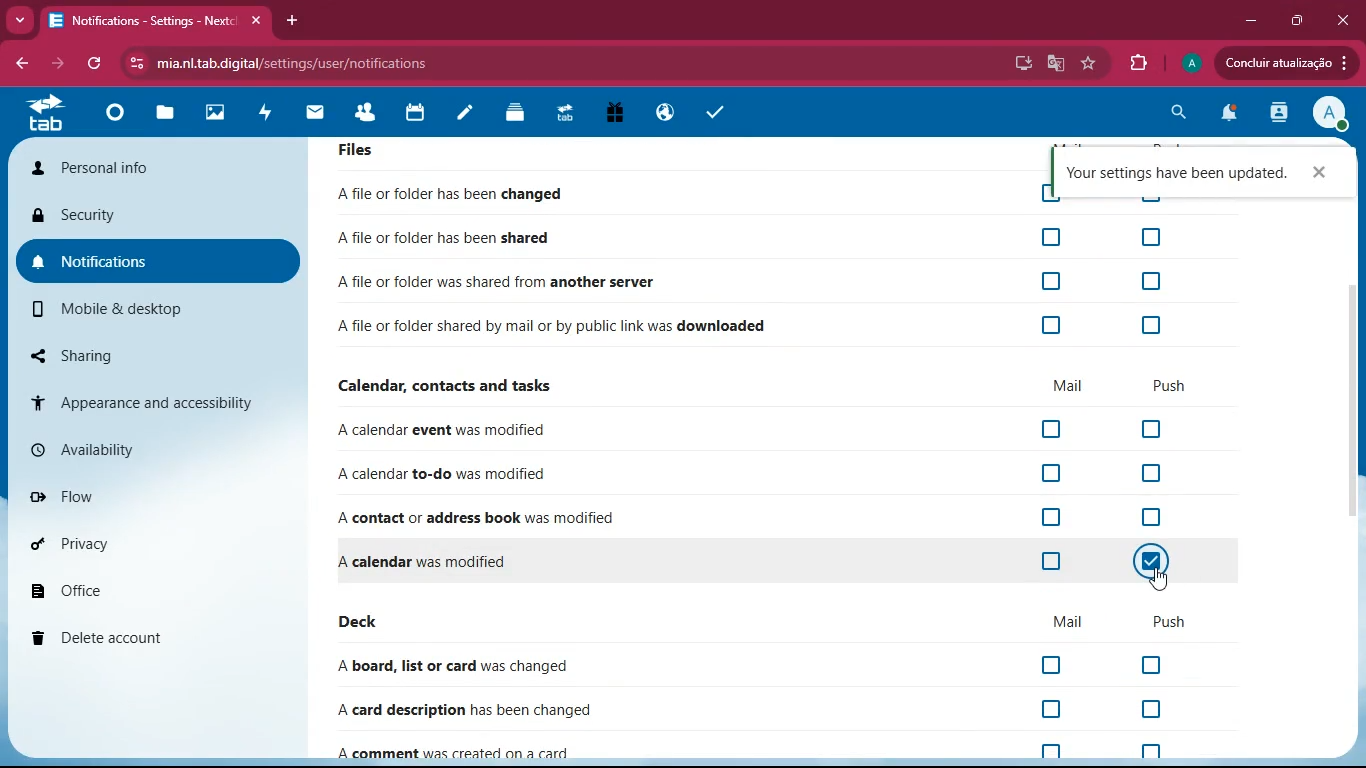  I want to click on notes, so click(470, 115).